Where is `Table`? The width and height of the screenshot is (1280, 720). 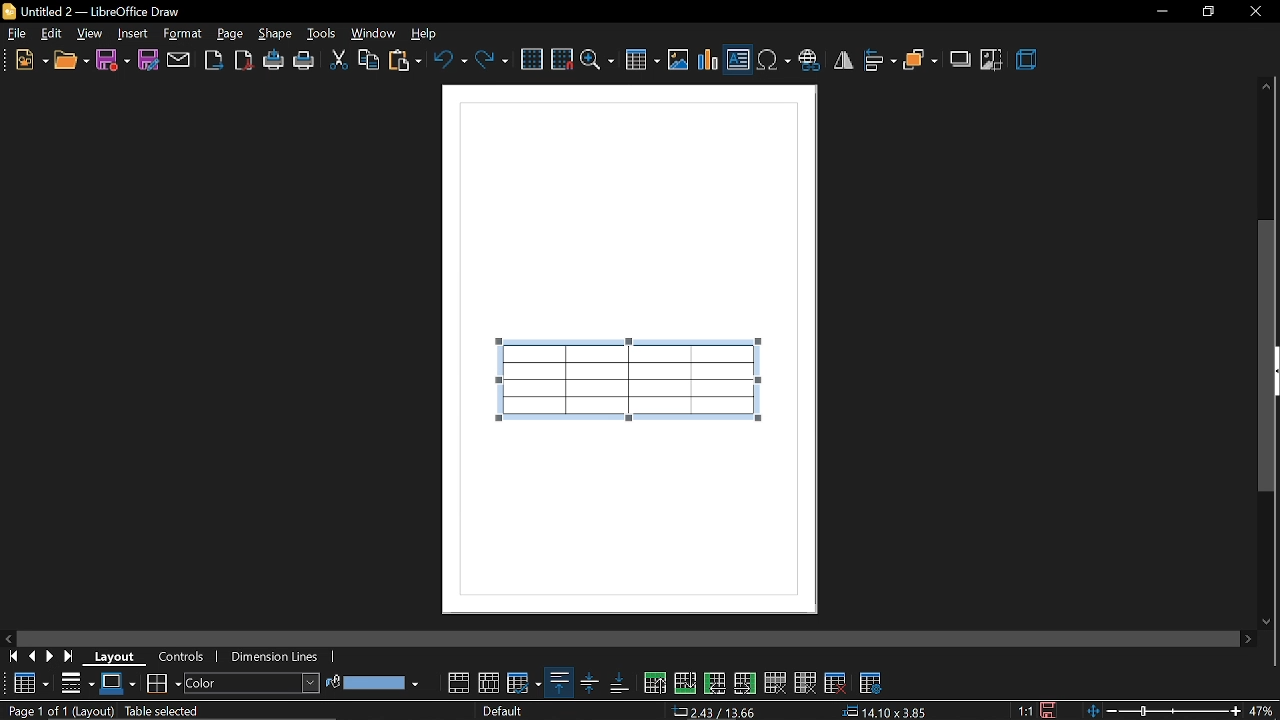 Table is located at coordinates (29, 682).